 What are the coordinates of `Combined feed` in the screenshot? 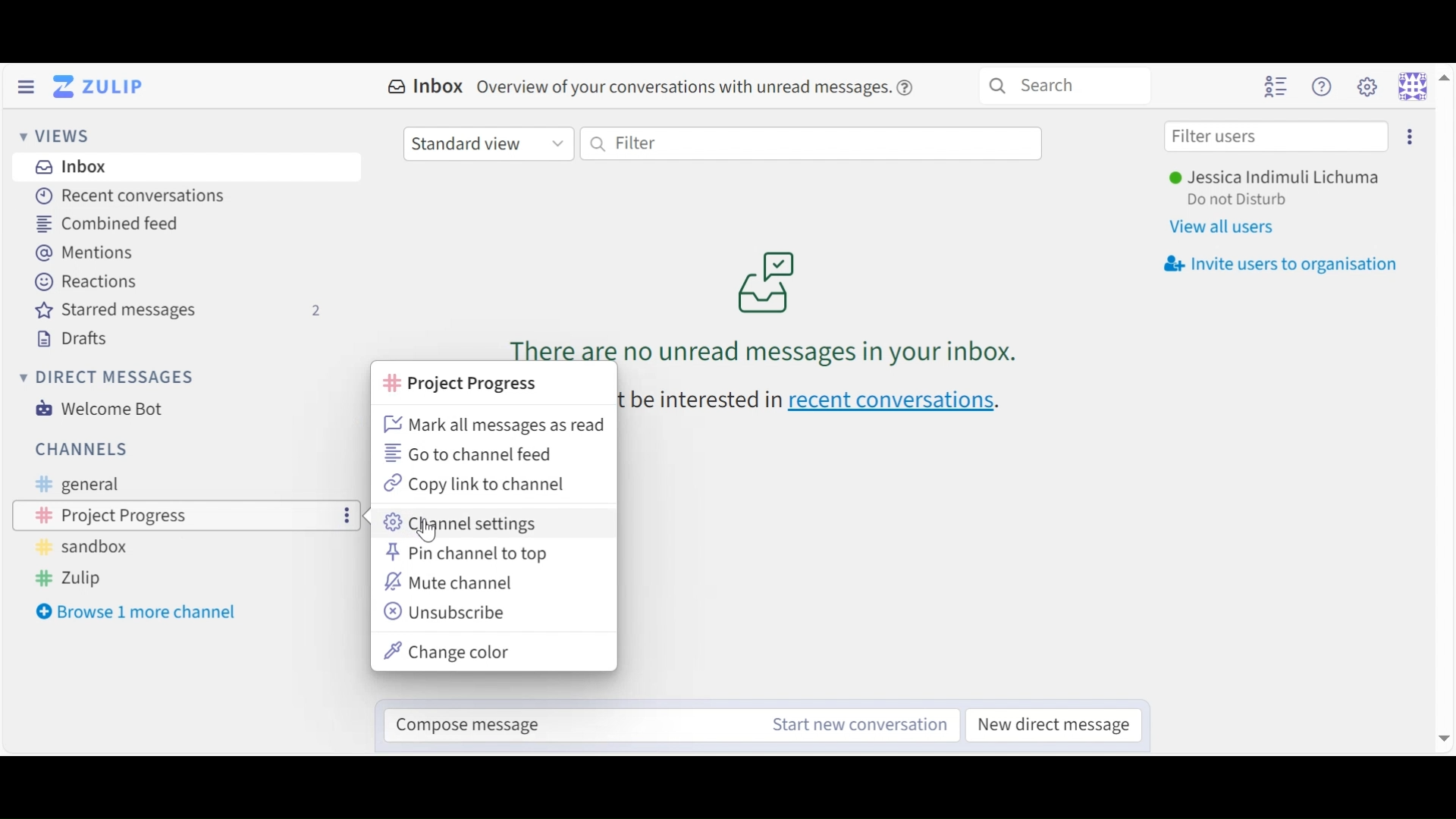 It's located at (104, 224).